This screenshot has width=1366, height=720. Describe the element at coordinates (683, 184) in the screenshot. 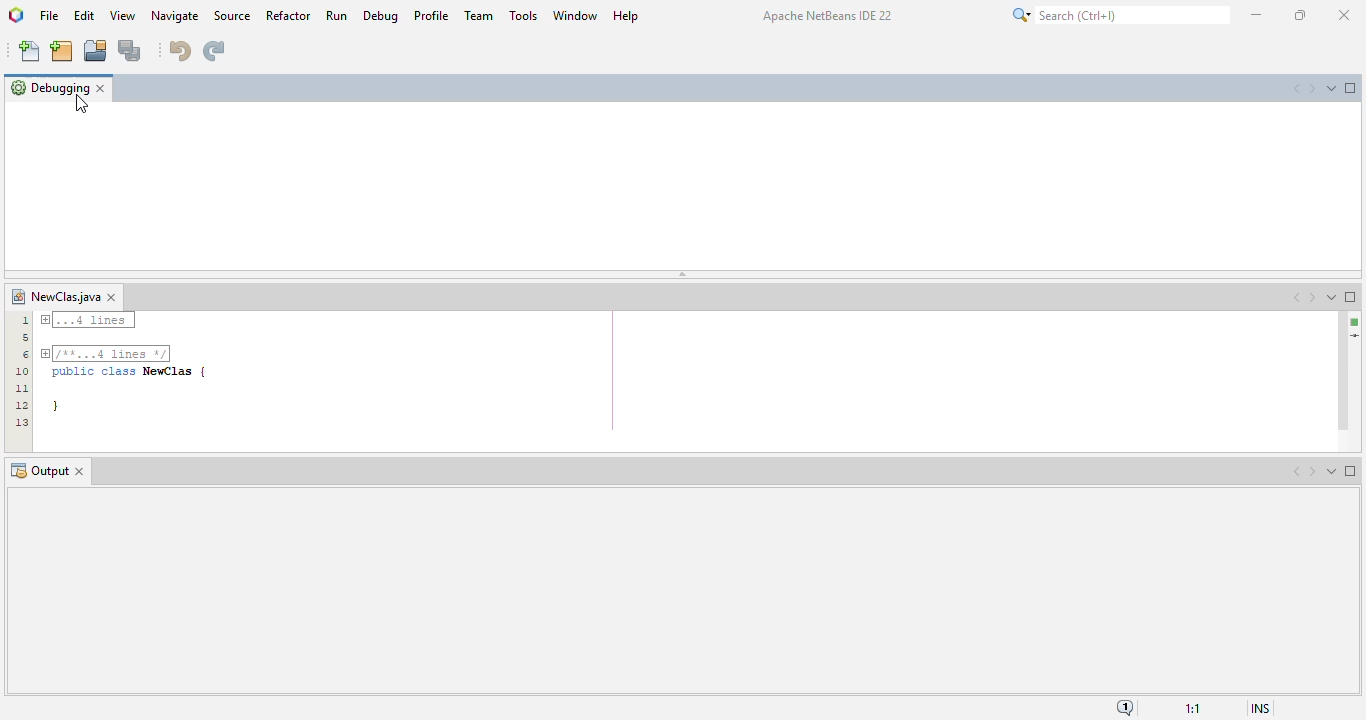

I see `debugging window` at that location.